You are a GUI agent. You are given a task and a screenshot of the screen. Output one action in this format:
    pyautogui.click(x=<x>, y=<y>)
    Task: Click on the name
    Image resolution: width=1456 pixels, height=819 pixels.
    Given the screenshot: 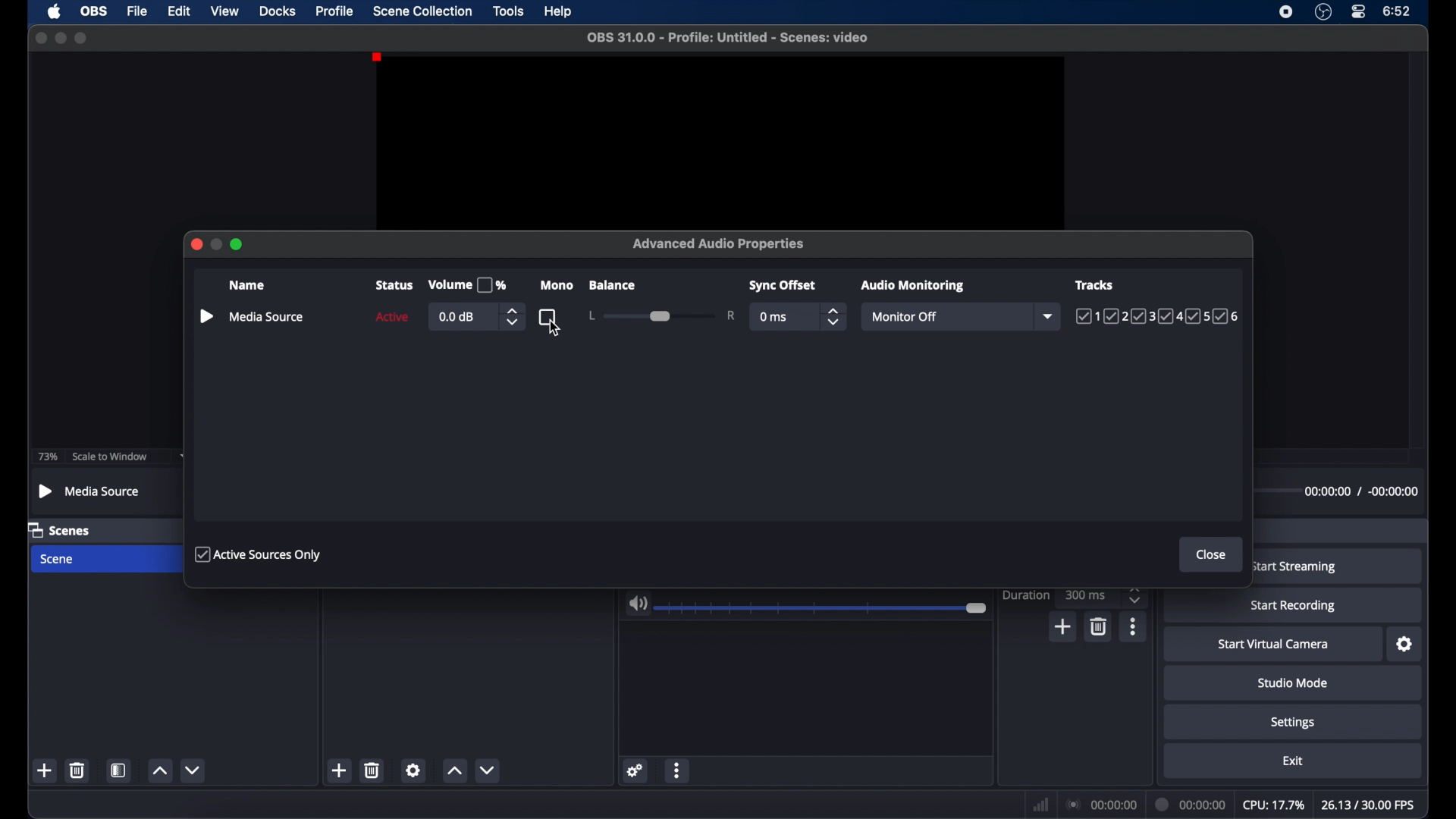 What is the action you would take?
    pyautogui.click(x=246, y=285)
    